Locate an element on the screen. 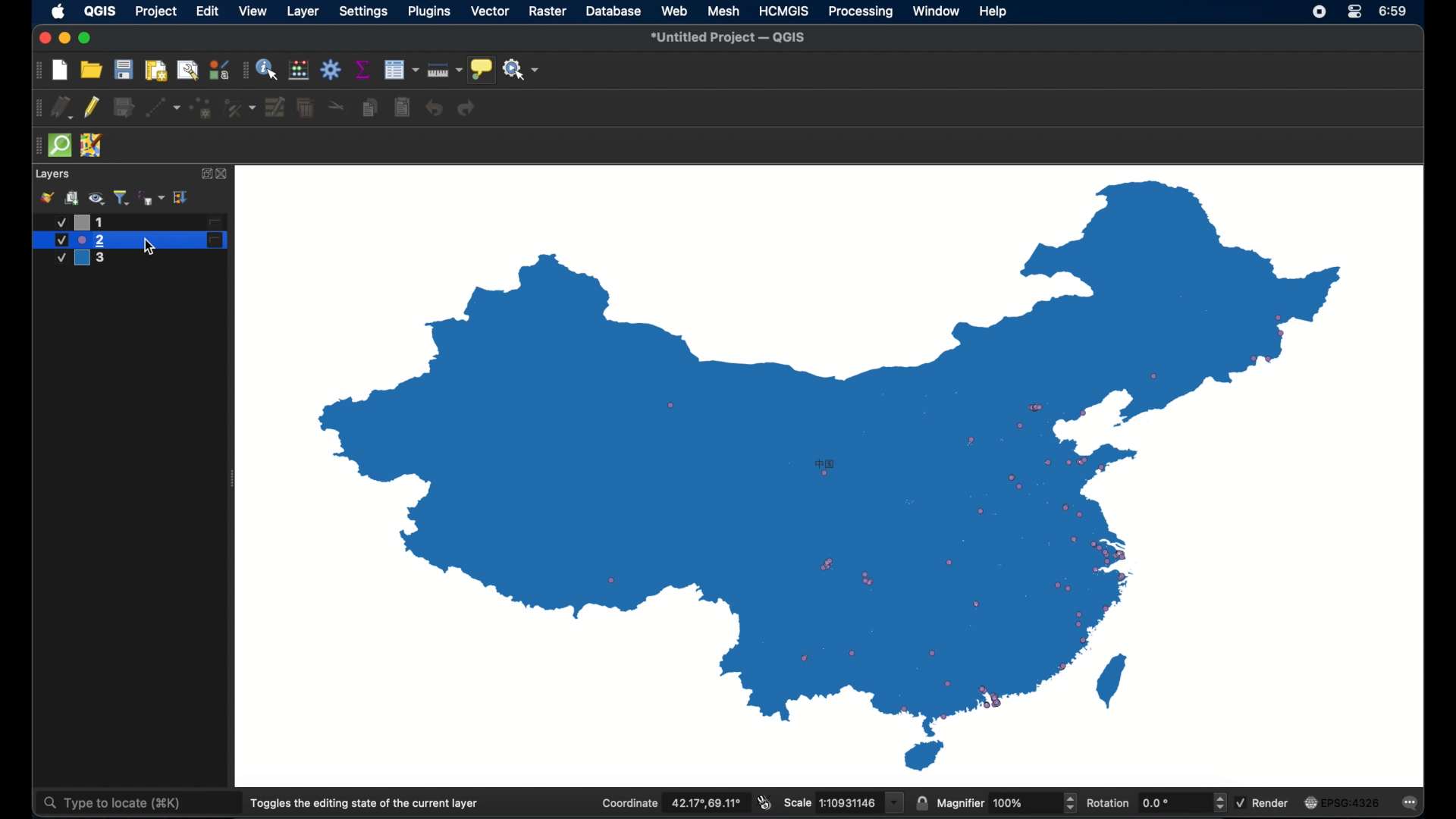 The image size is (1456, 819). quick osm is located at coordinates (61, 146).